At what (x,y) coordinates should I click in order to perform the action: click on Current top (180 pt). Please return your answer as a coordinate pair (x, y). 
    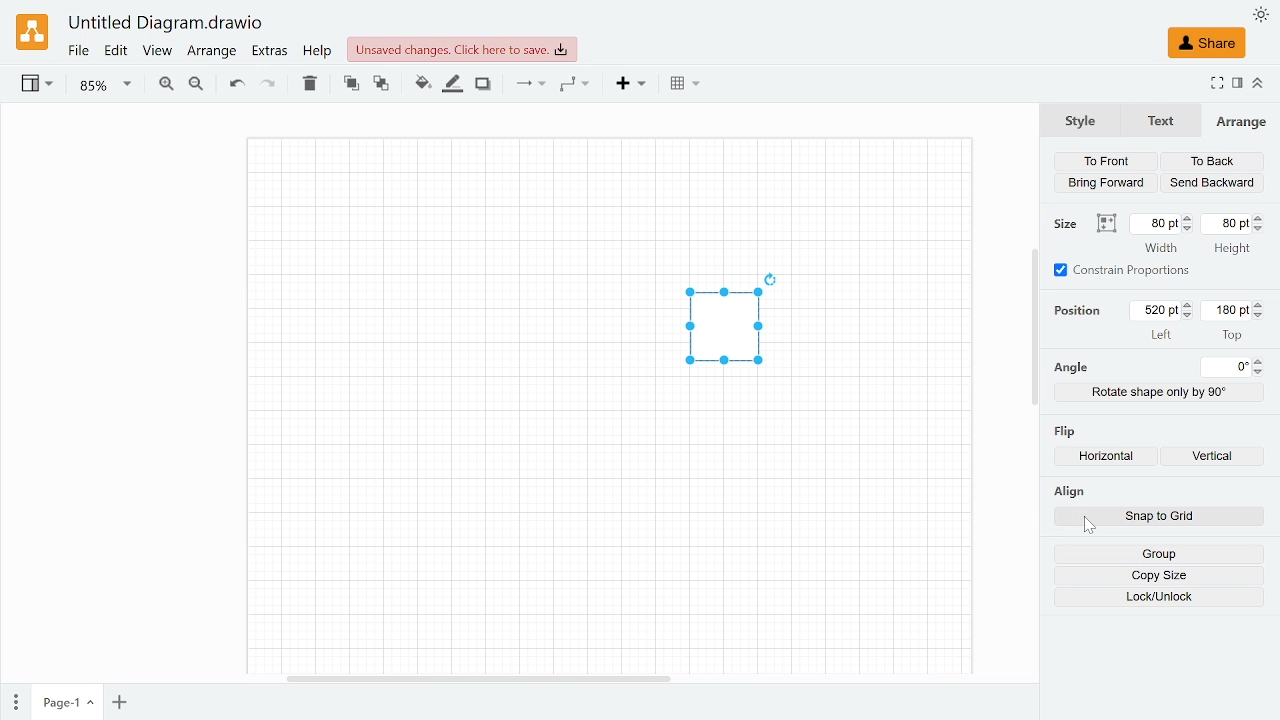
    Looking at the image, I should click on (1225, 310).